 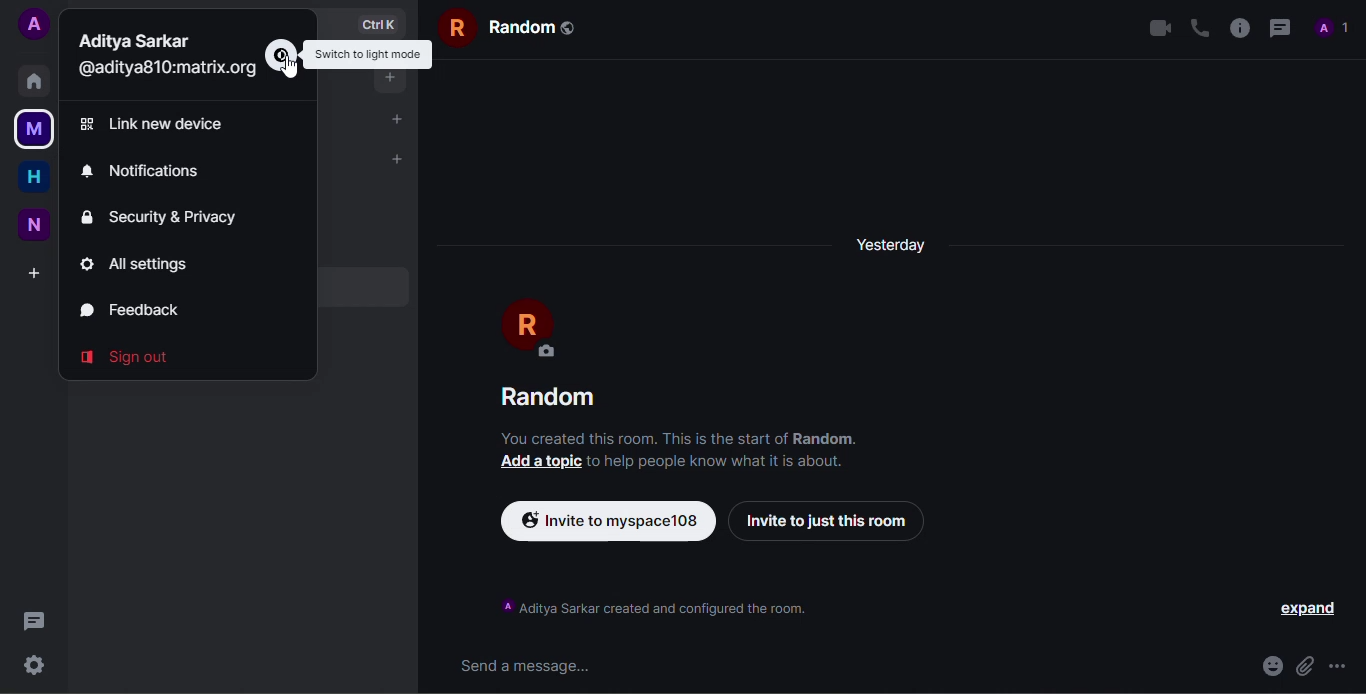 I want to click on emoji, so click(x=1270, y=666).